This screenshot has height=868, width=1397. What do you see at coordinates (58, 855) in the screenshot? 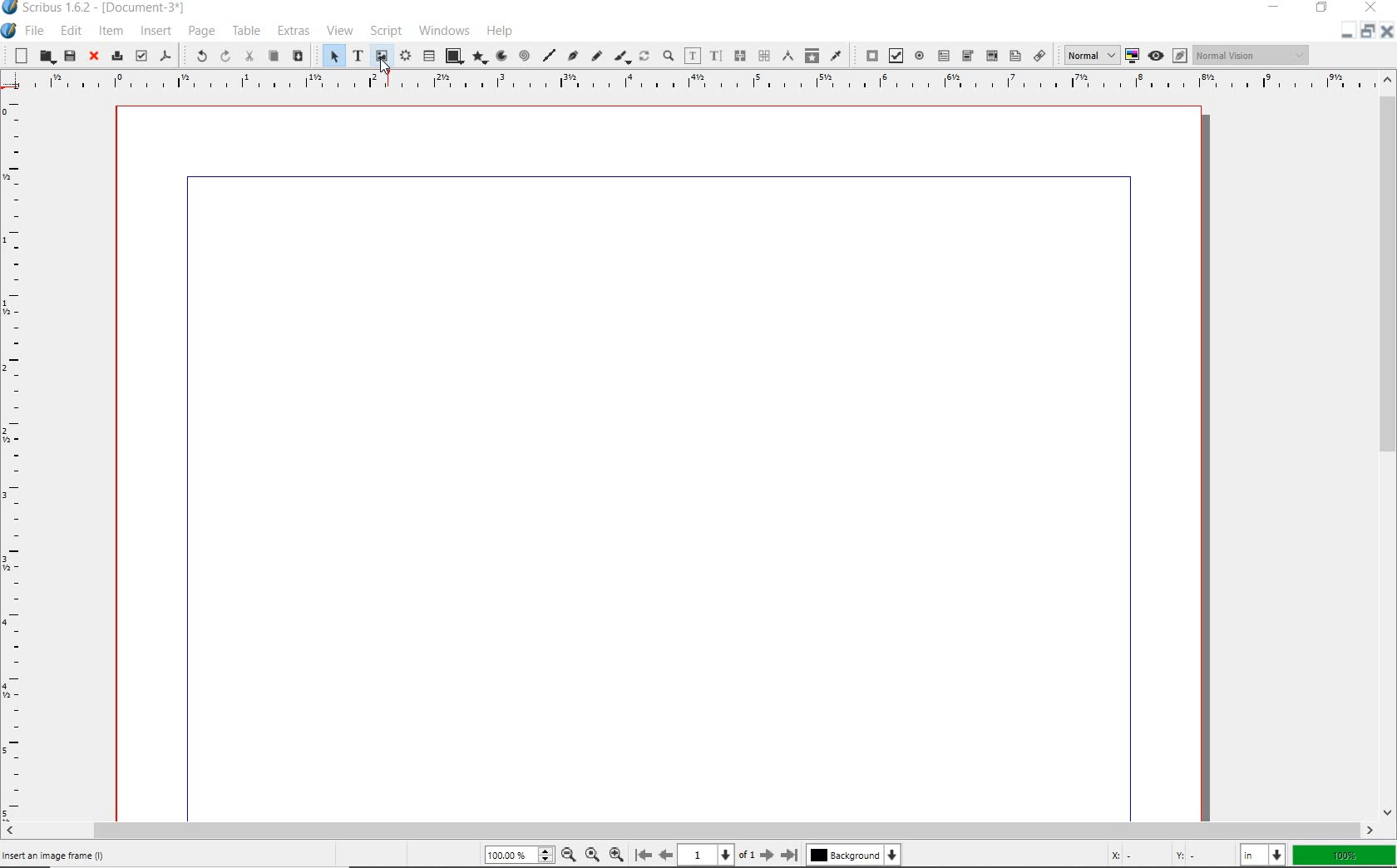
I see `INSERT AN IMAGE FRAME` at bounding box center [58, 855].